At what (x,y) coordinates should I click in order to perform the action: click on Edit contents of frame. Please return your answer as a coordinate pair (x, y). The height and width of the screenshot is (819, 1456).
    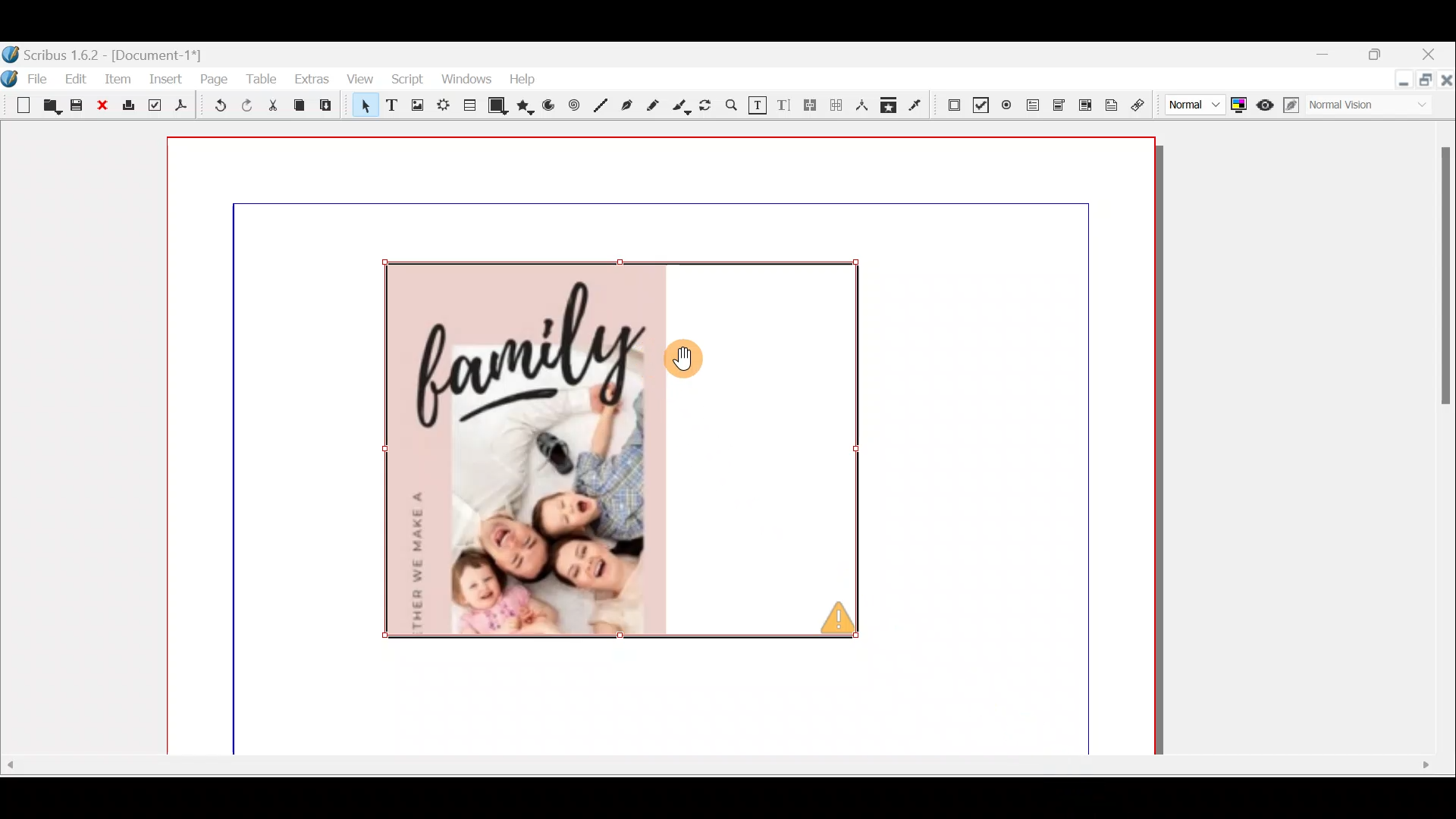
    Looking at the image, I should click on (758, 106).